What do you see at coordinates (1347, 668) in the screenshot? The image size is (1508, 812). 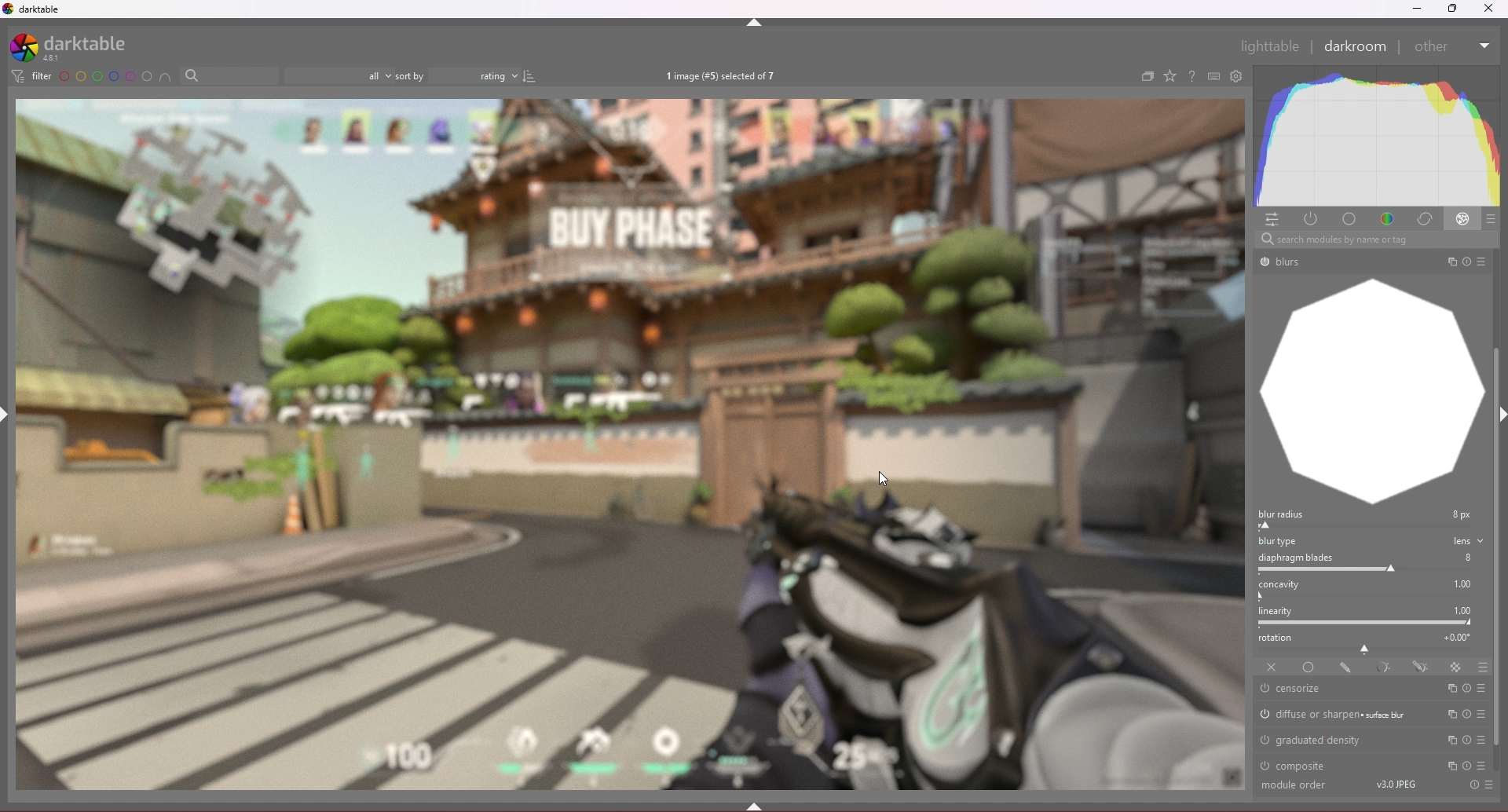 I see `drawn mask` at bounding box center [1347, 668].